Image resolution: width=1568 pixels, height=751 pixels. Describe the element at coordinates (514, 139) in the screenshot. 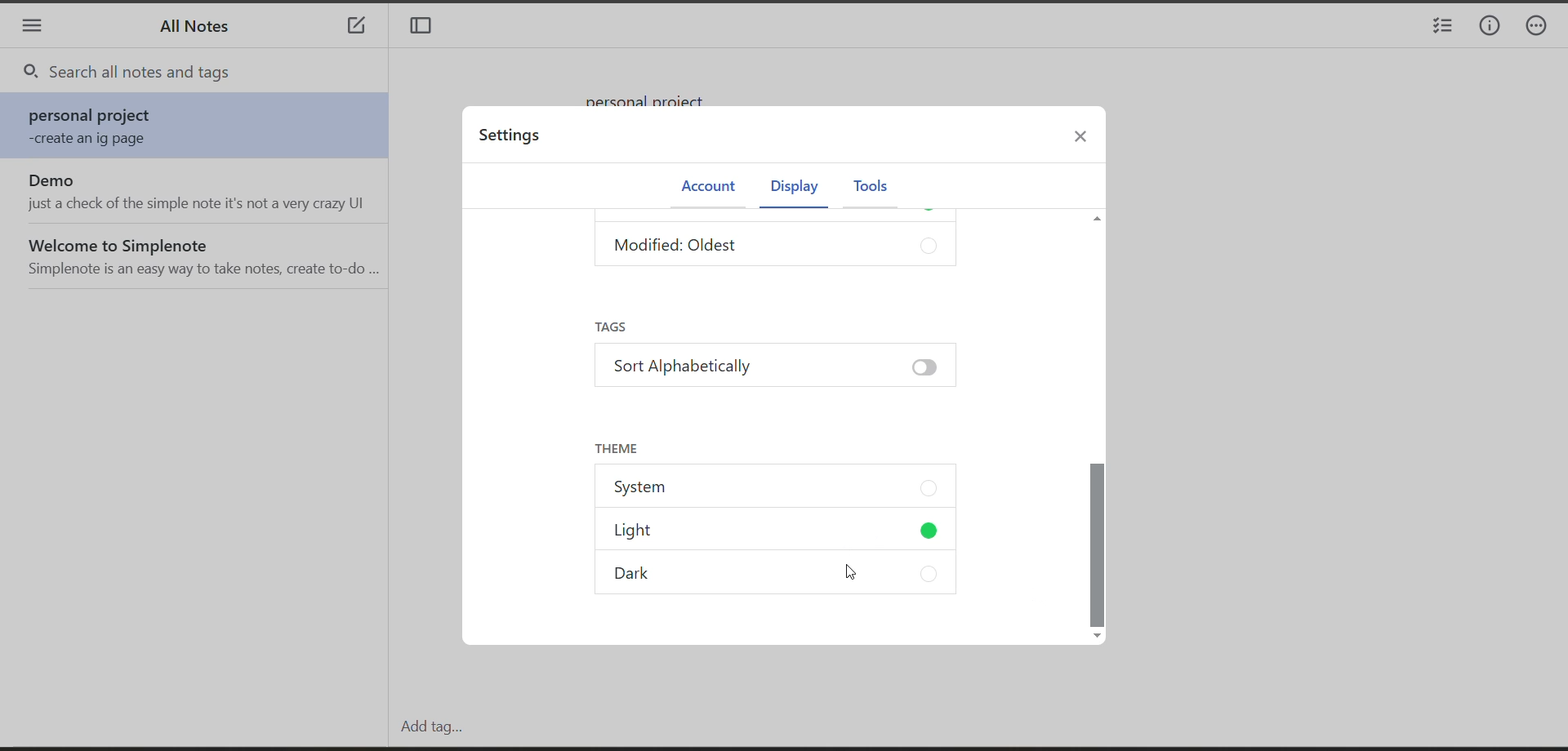

I see `settings` at that location.